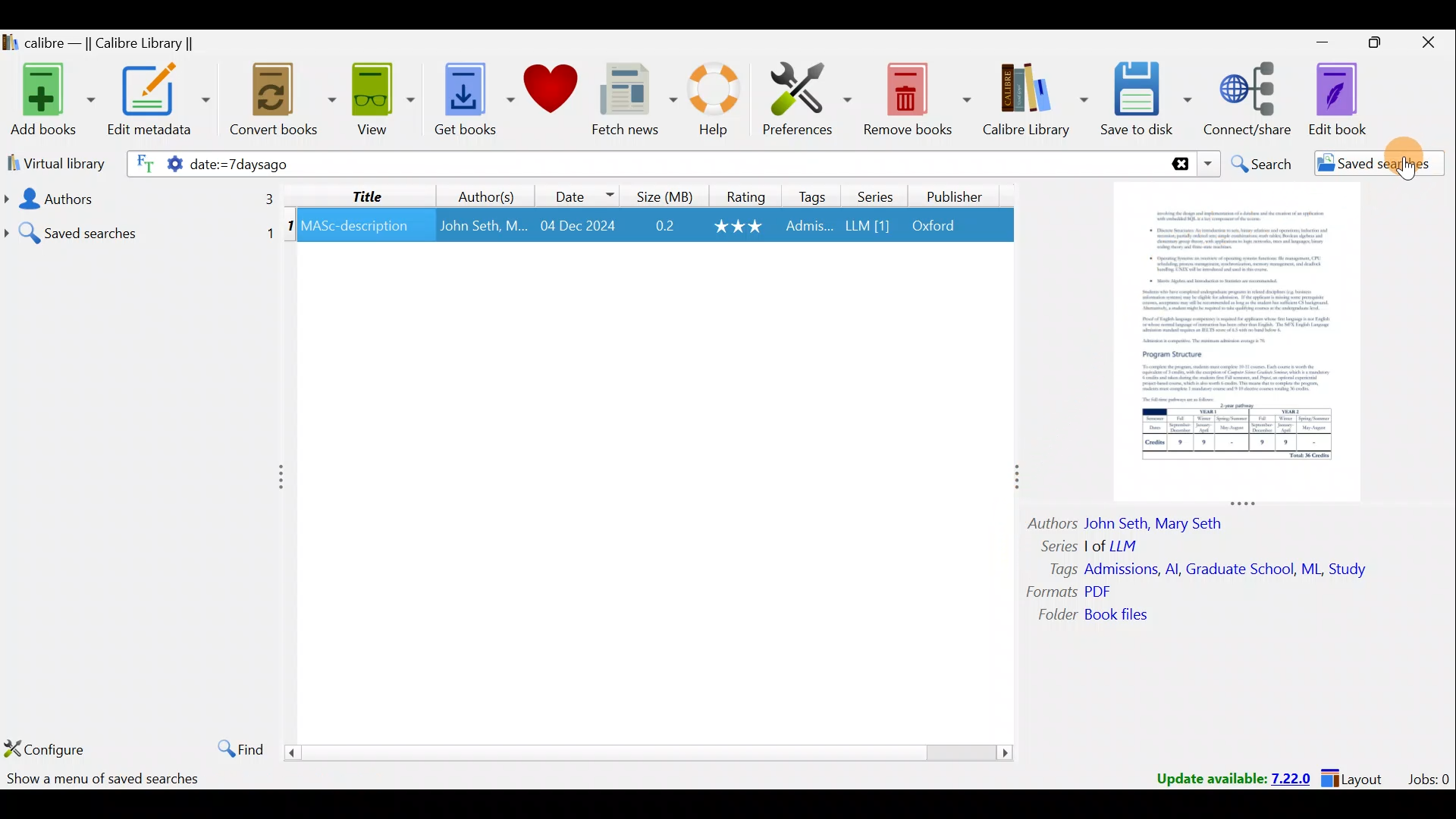 The image size is (1456, 819). What do you see at coordinates (49, 97) in the screenshot?
I see `Add books` at bounding box center [49, 97].